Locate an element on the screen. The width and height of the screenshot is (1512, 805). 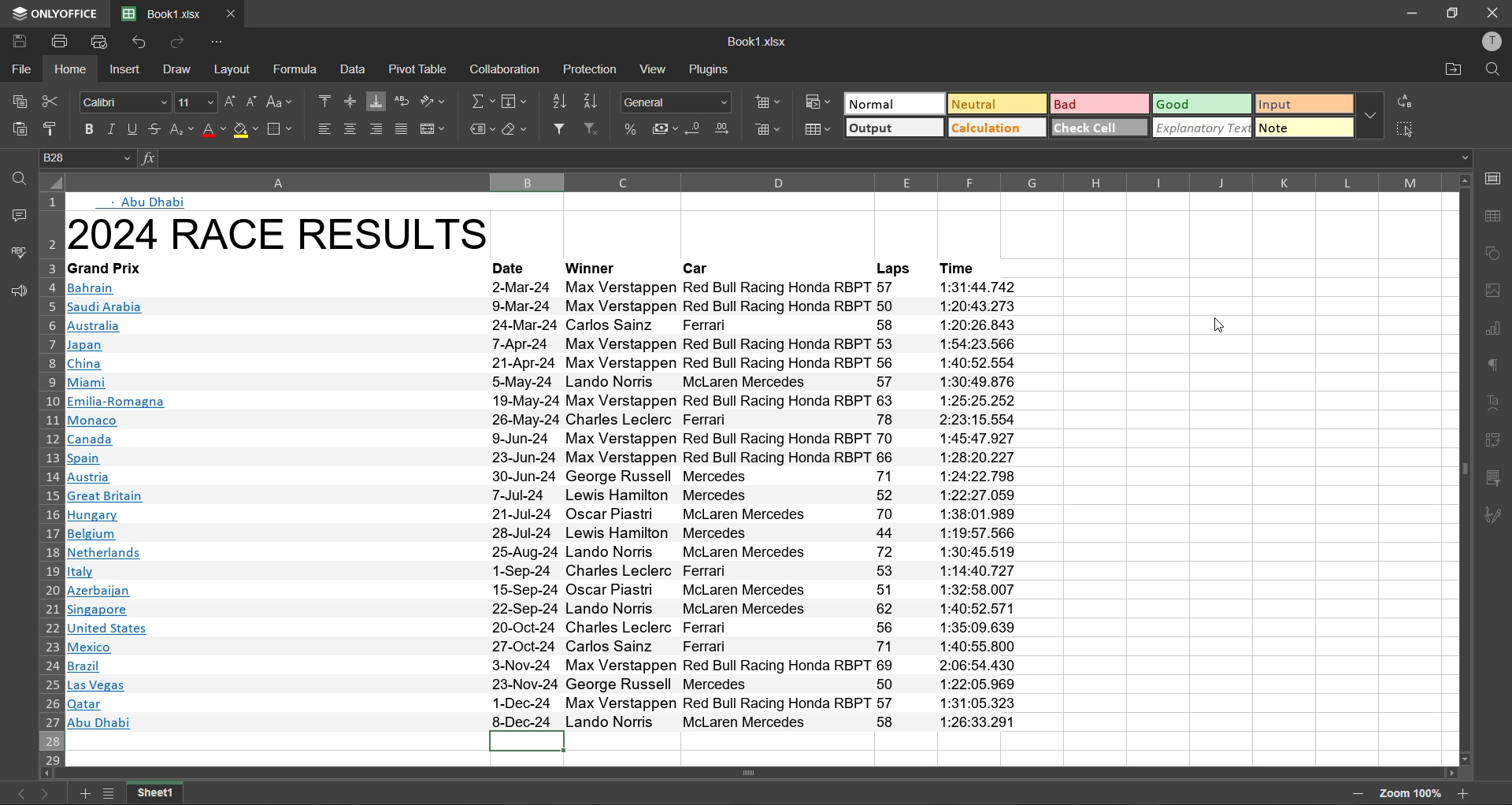
layout is located at coordinates (232, 72).